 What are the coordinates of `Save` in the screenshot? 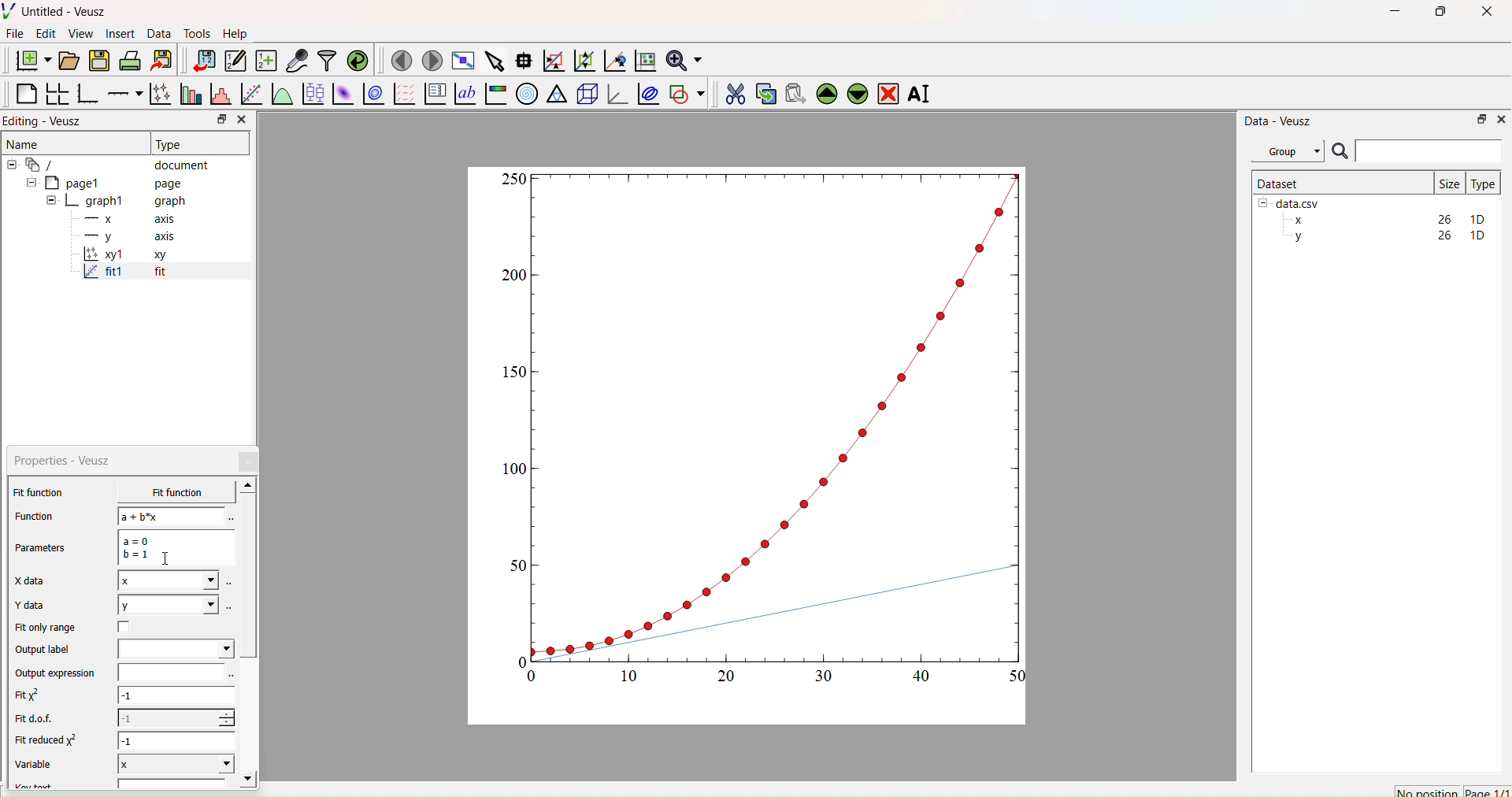 It's located at (98, 59).